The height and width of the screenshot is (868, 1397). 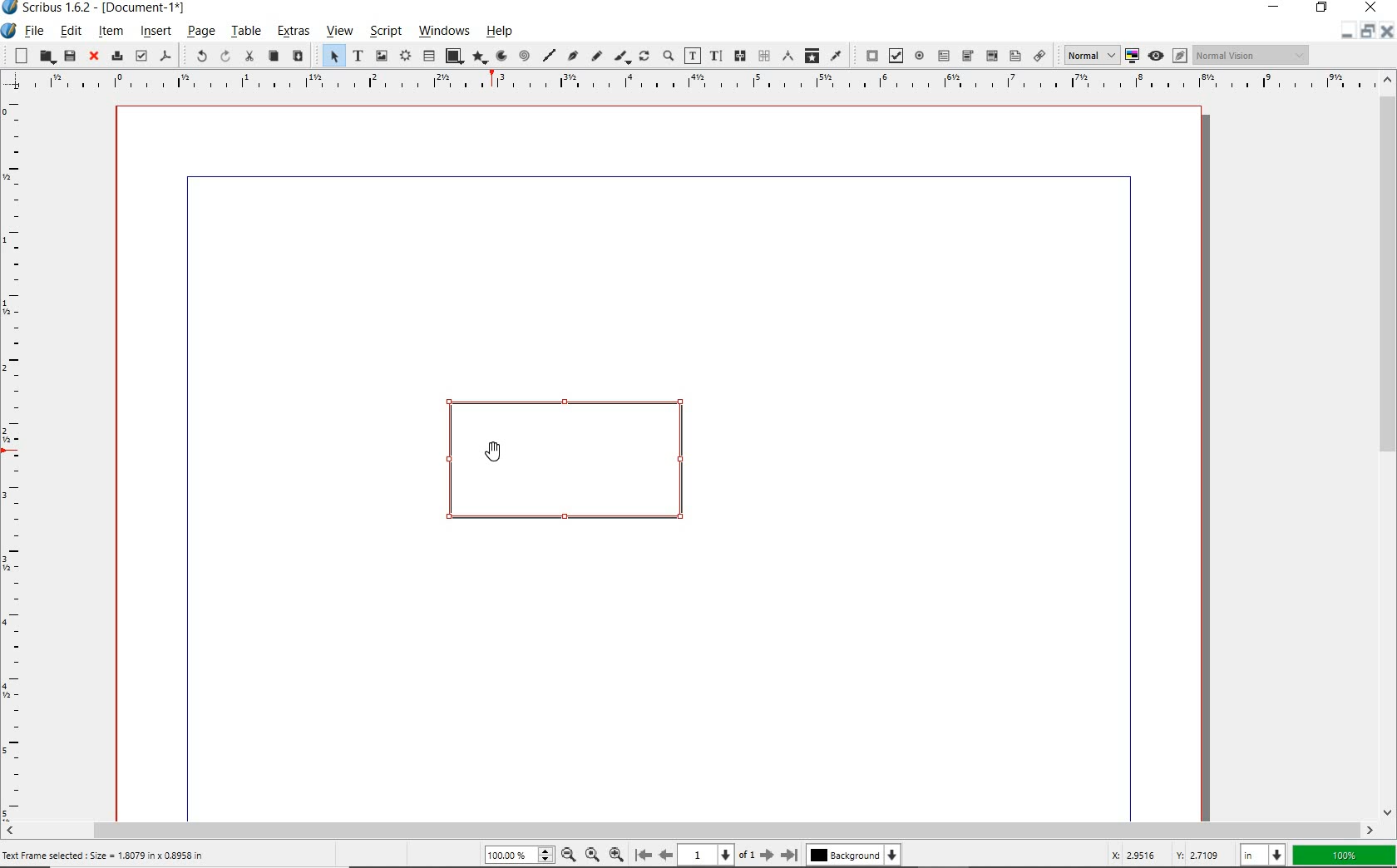 I want to click on preview mode, so click(x=1156, y=56).